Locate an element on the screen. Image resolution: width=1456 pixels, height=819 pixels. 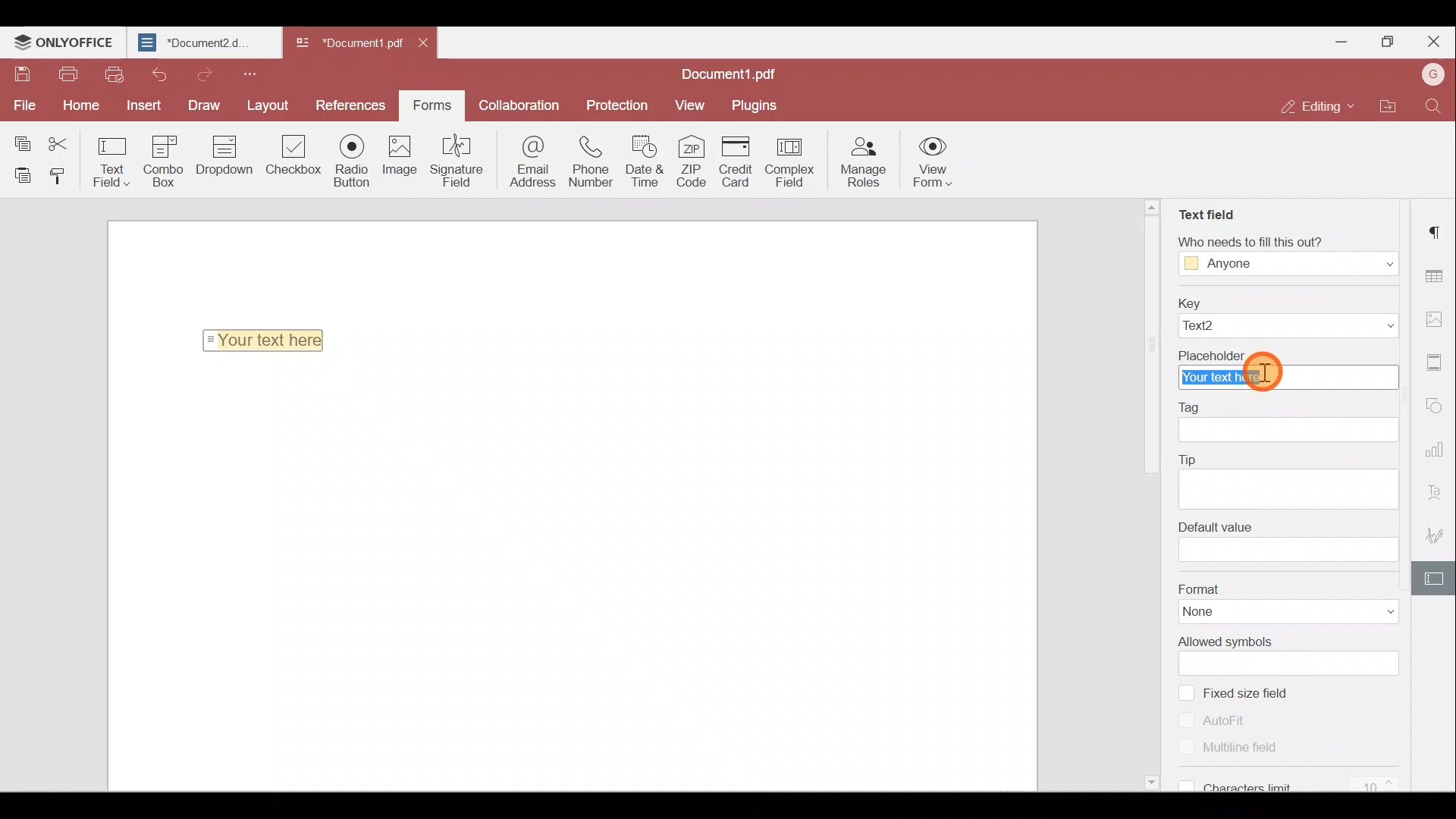
Text field is located at coordinates (1205, 209).